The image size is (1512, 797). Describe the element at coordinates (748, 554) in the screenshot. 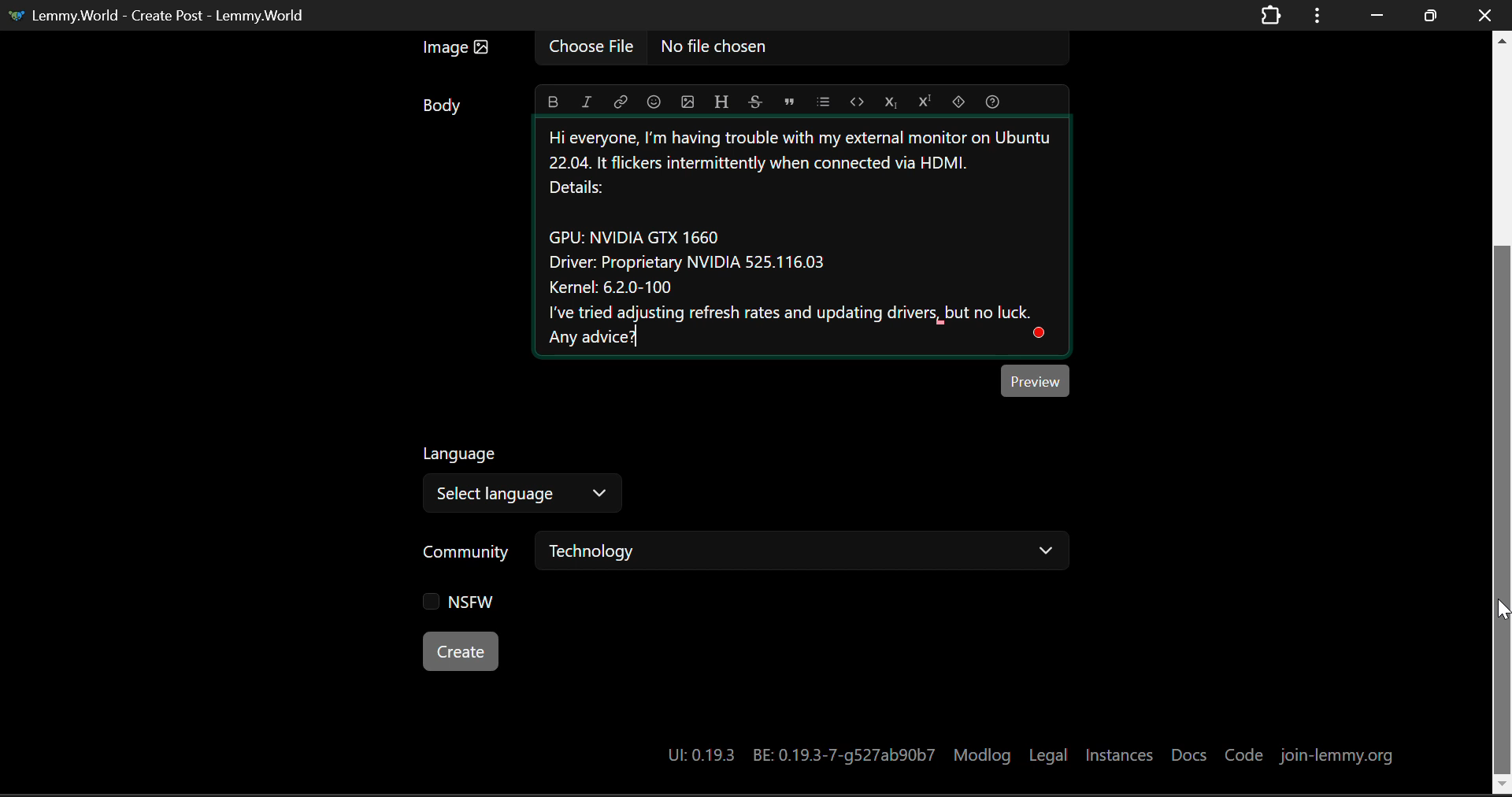

I see `Community: Technology` at that location.